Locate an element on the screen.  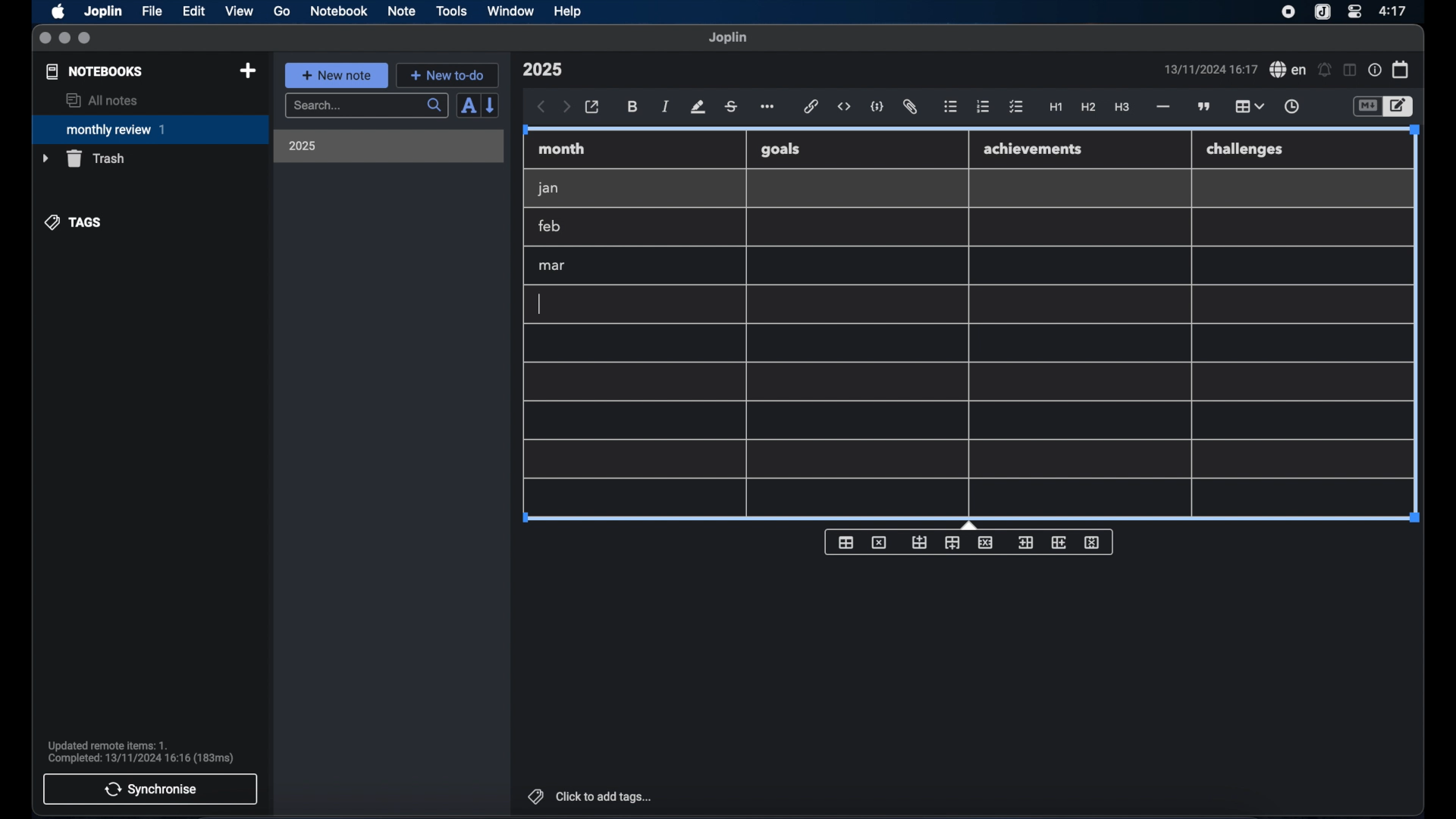
joplin icon is located at coordinates (1321, 13).